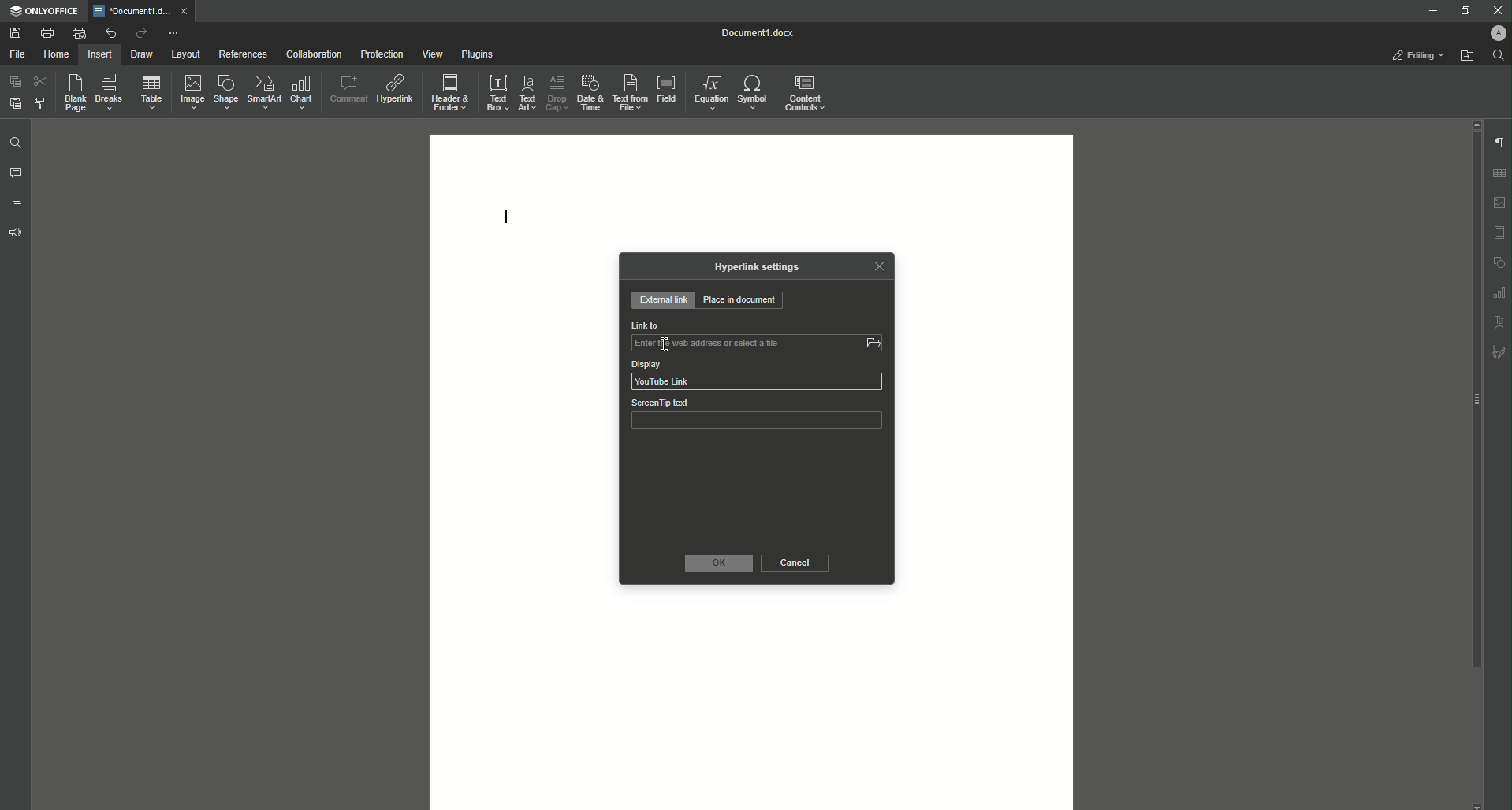 The image size is (1512, 810). I want to click on shape settings, so click(1500, 262).